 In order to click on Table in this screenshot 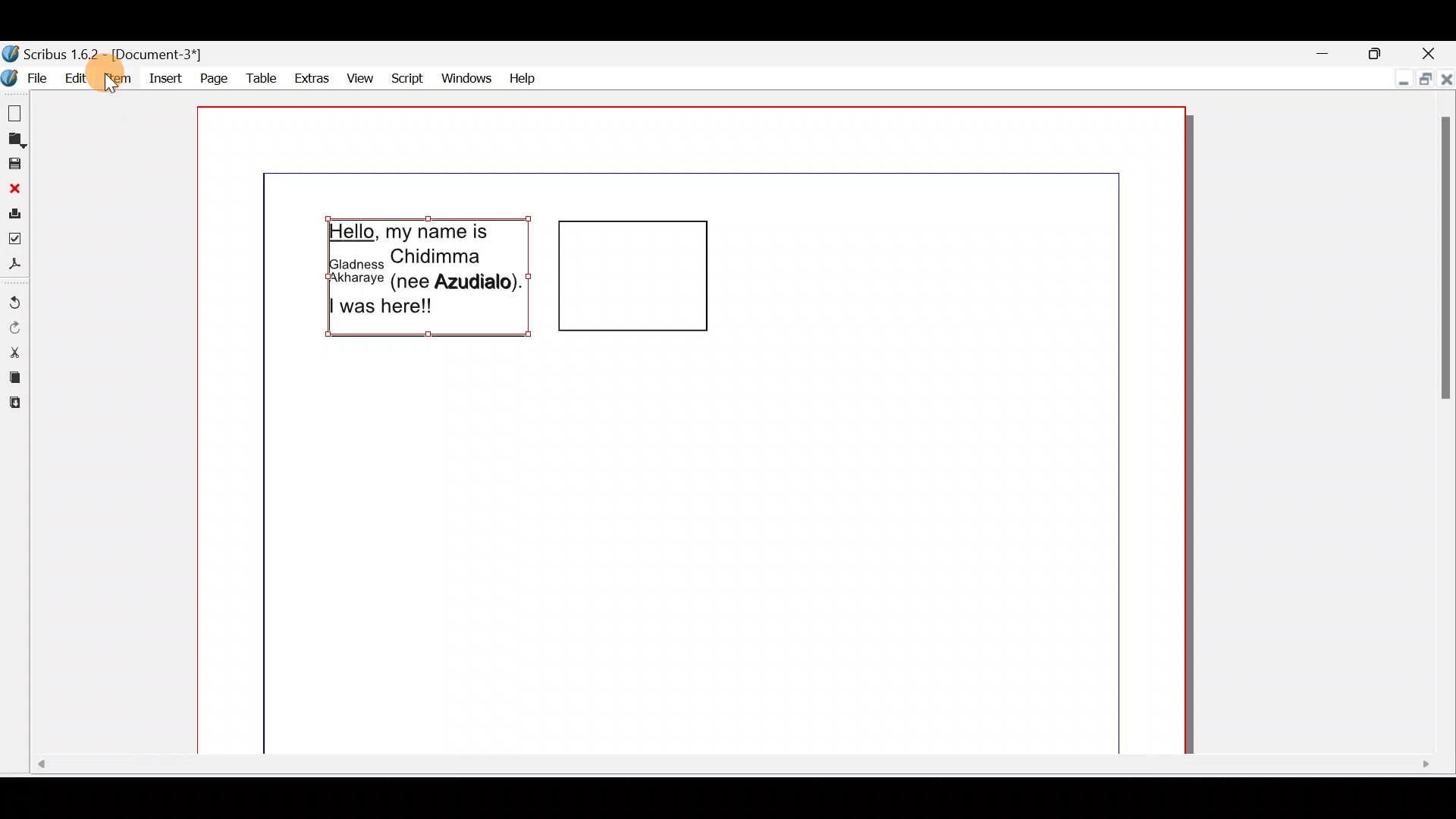, I will do `click(256, 78)`.